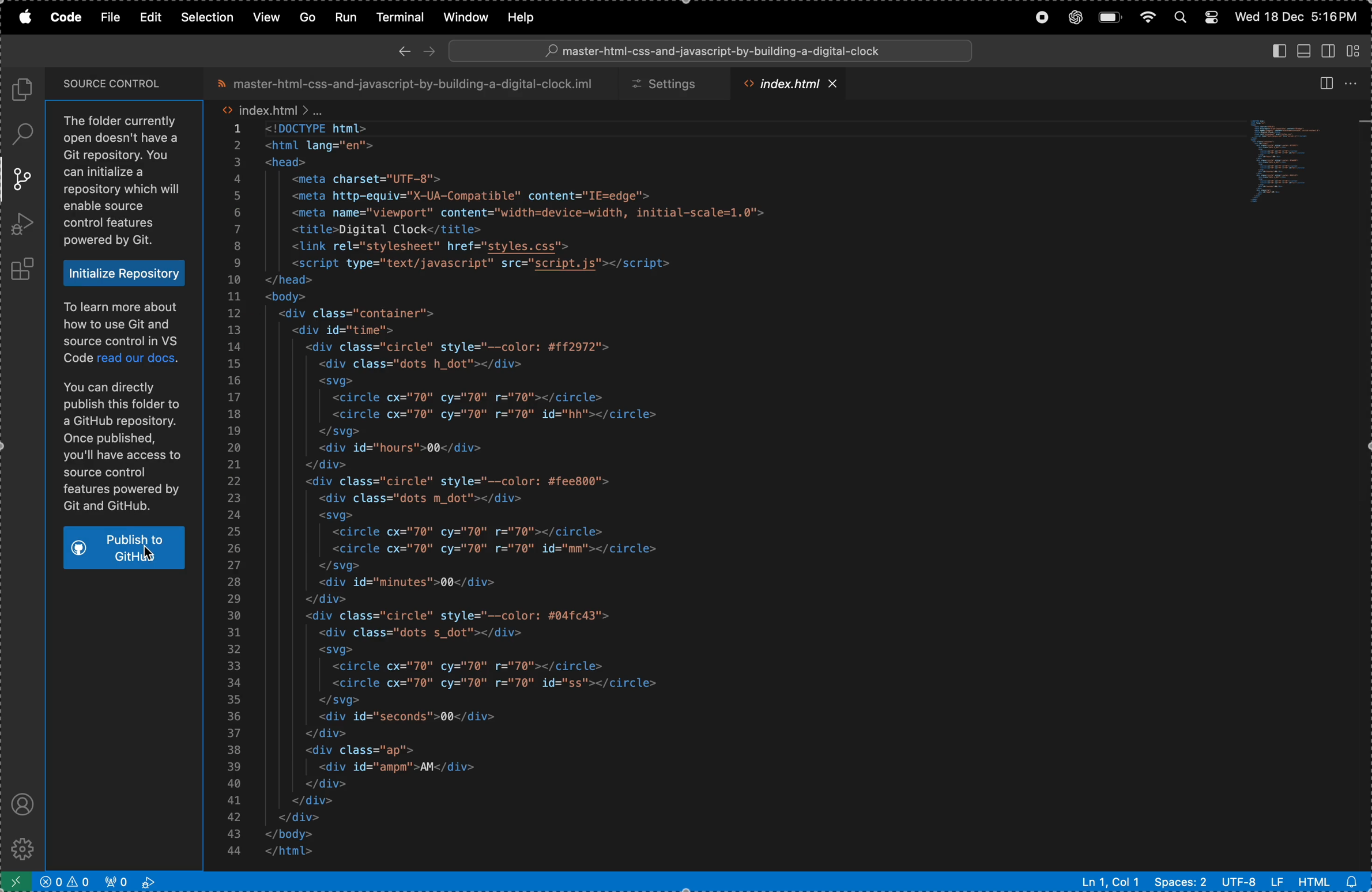 This screenshot has height=892, width=1372. What do you see at coordinates (379, 180) in the screenshot?
I see `<meta charset="UTF-8">` at bounding box center [379, 180].